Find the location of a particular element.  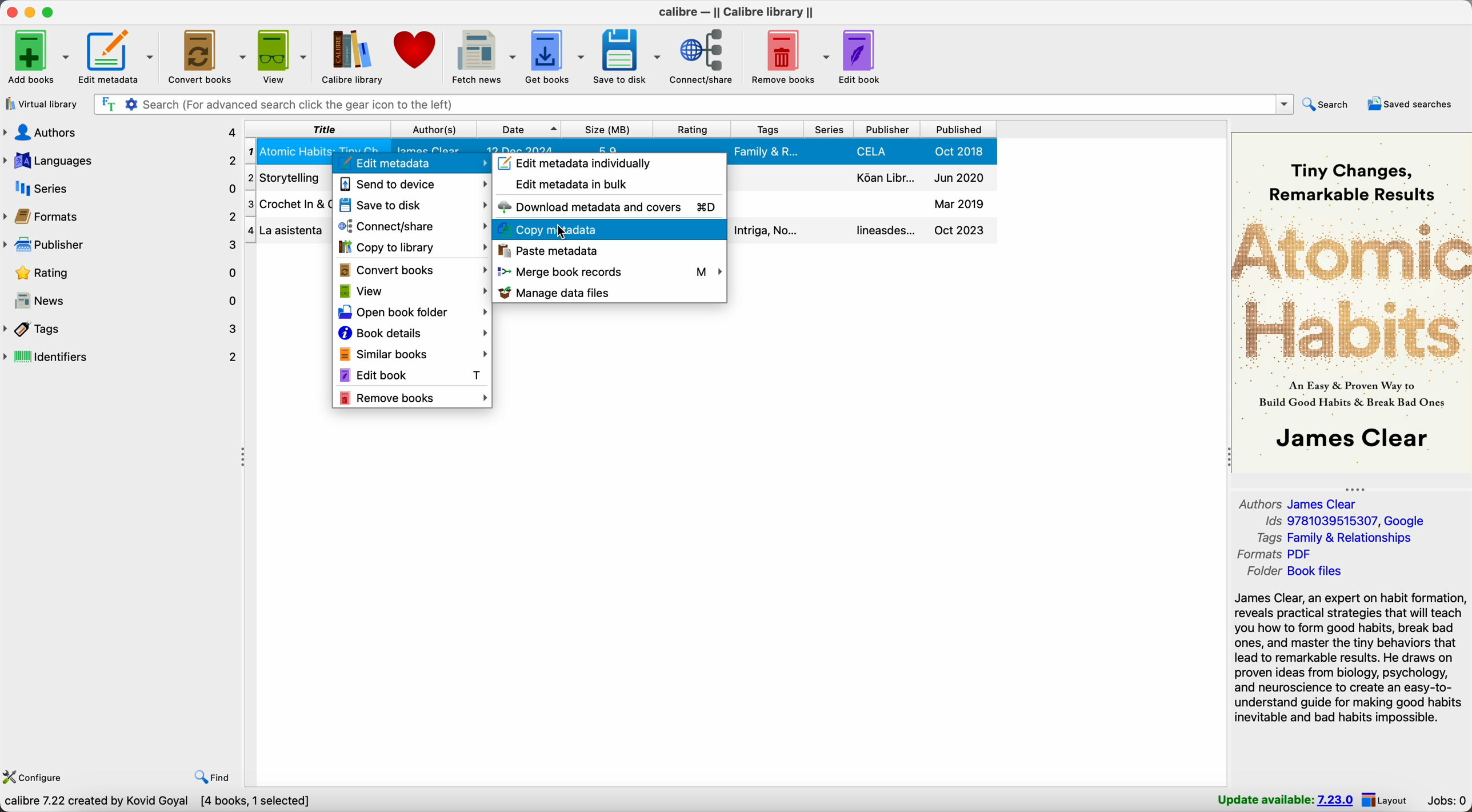

edit metadata is located at coordinates (121, 58).